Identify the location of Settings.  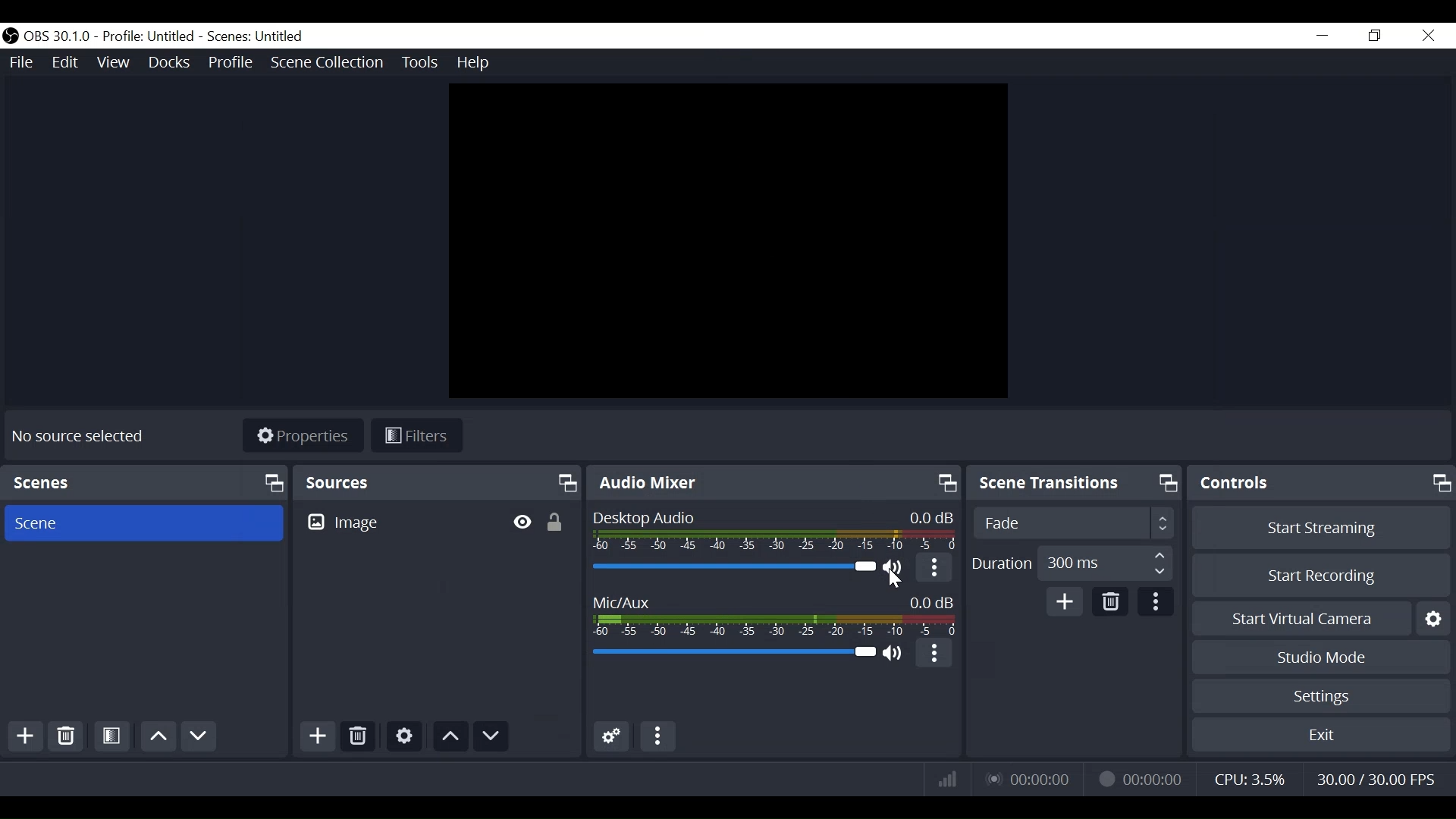
(1431, 619).